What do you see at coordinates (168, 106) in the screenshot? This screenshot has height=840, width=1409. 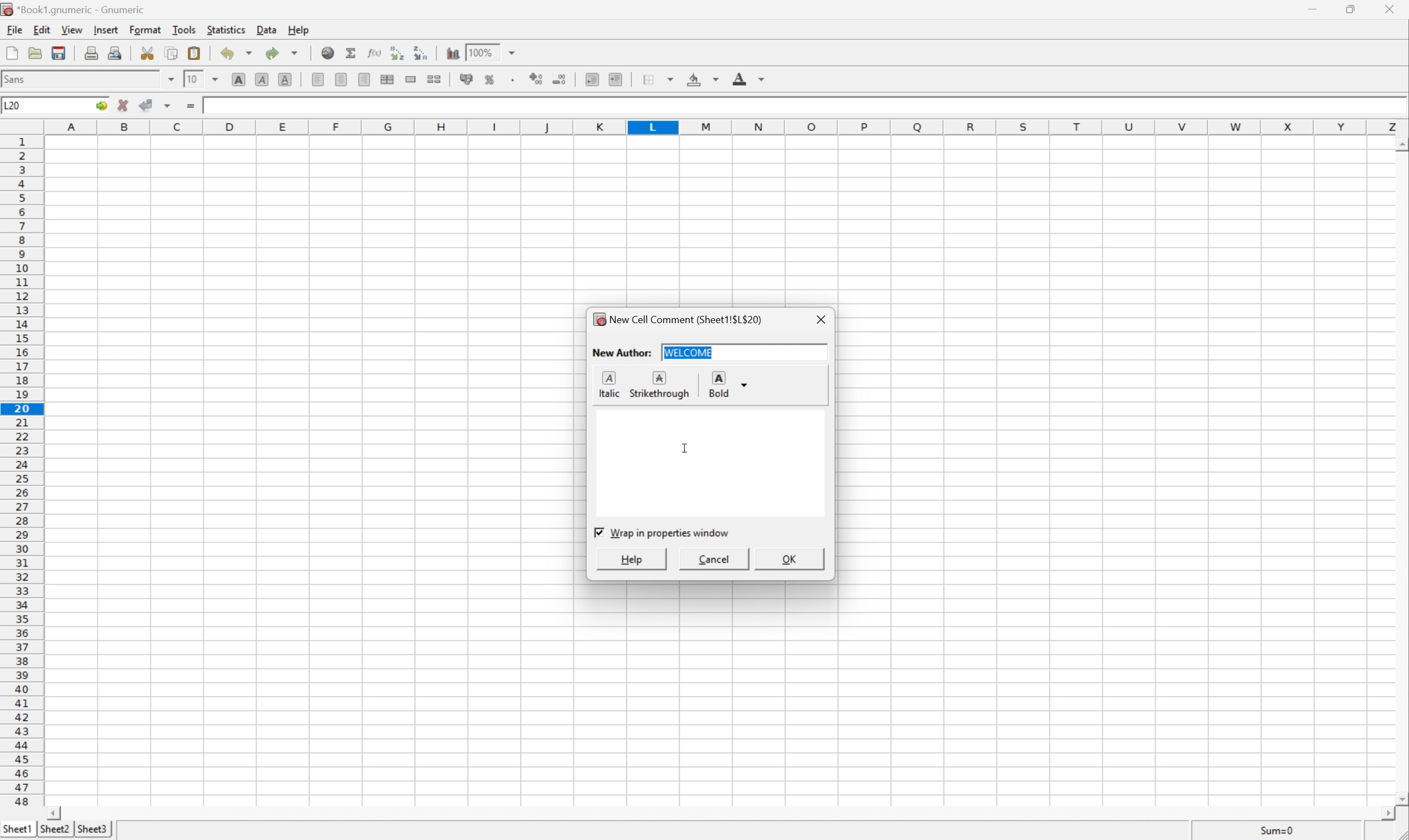 I see `Accept changes in multiple cells` at bounding box center [168, 106].